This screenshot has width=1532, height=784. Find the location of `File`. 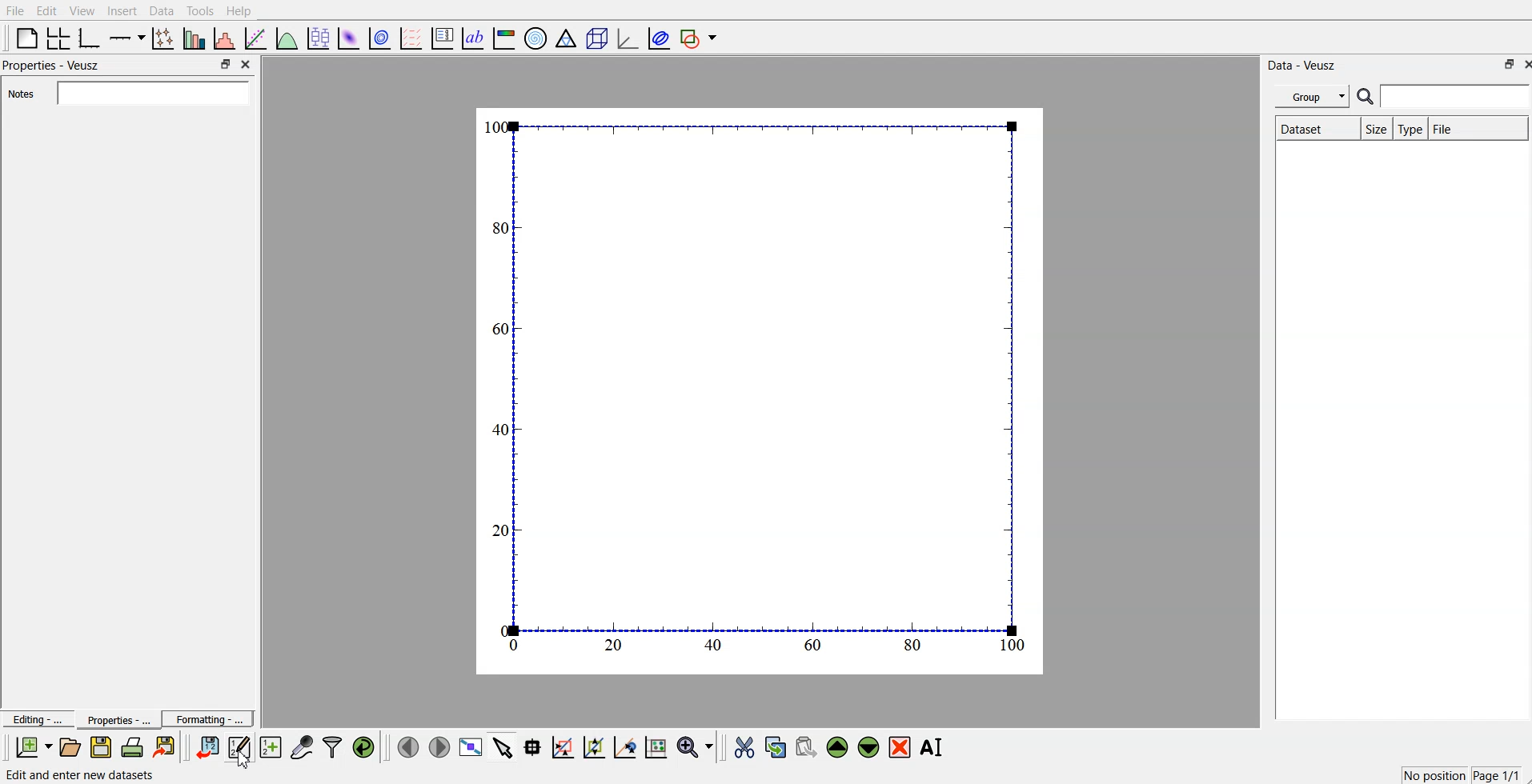

File is located at coordinates (1478, 128).